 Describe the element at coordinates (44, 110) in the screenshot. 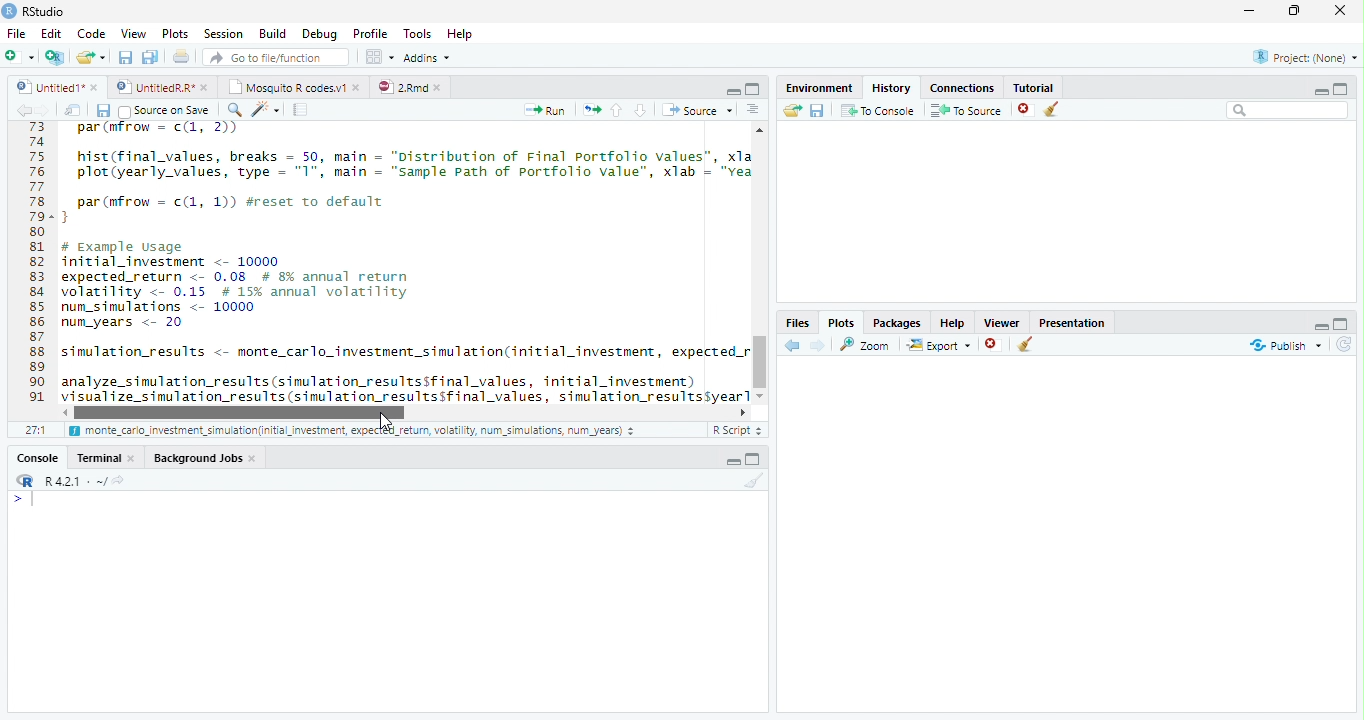

I see `next source location` at that location.